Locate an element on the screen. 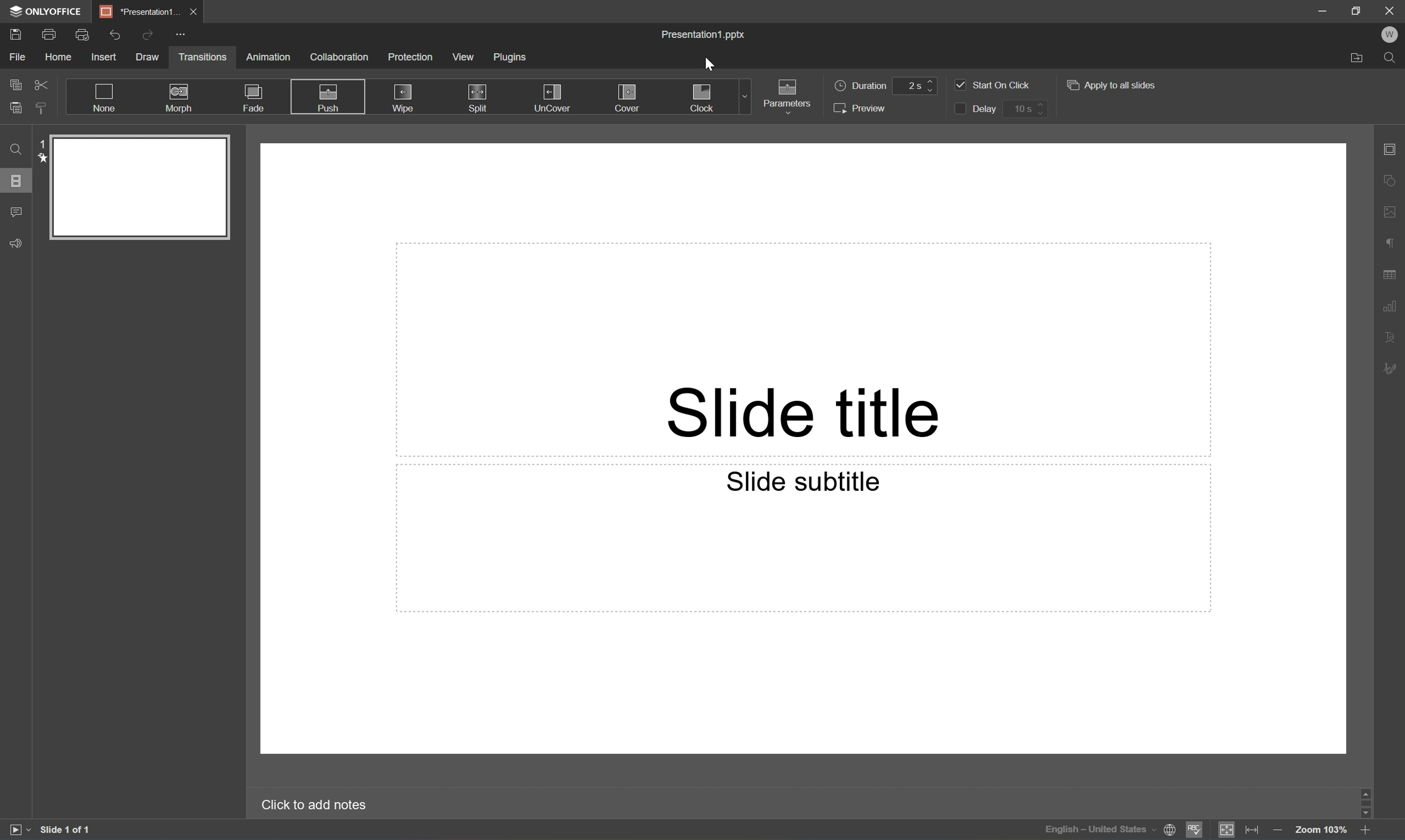 This screenshot has height=840, width=1405. Cut is located at coordinates (41, 83).